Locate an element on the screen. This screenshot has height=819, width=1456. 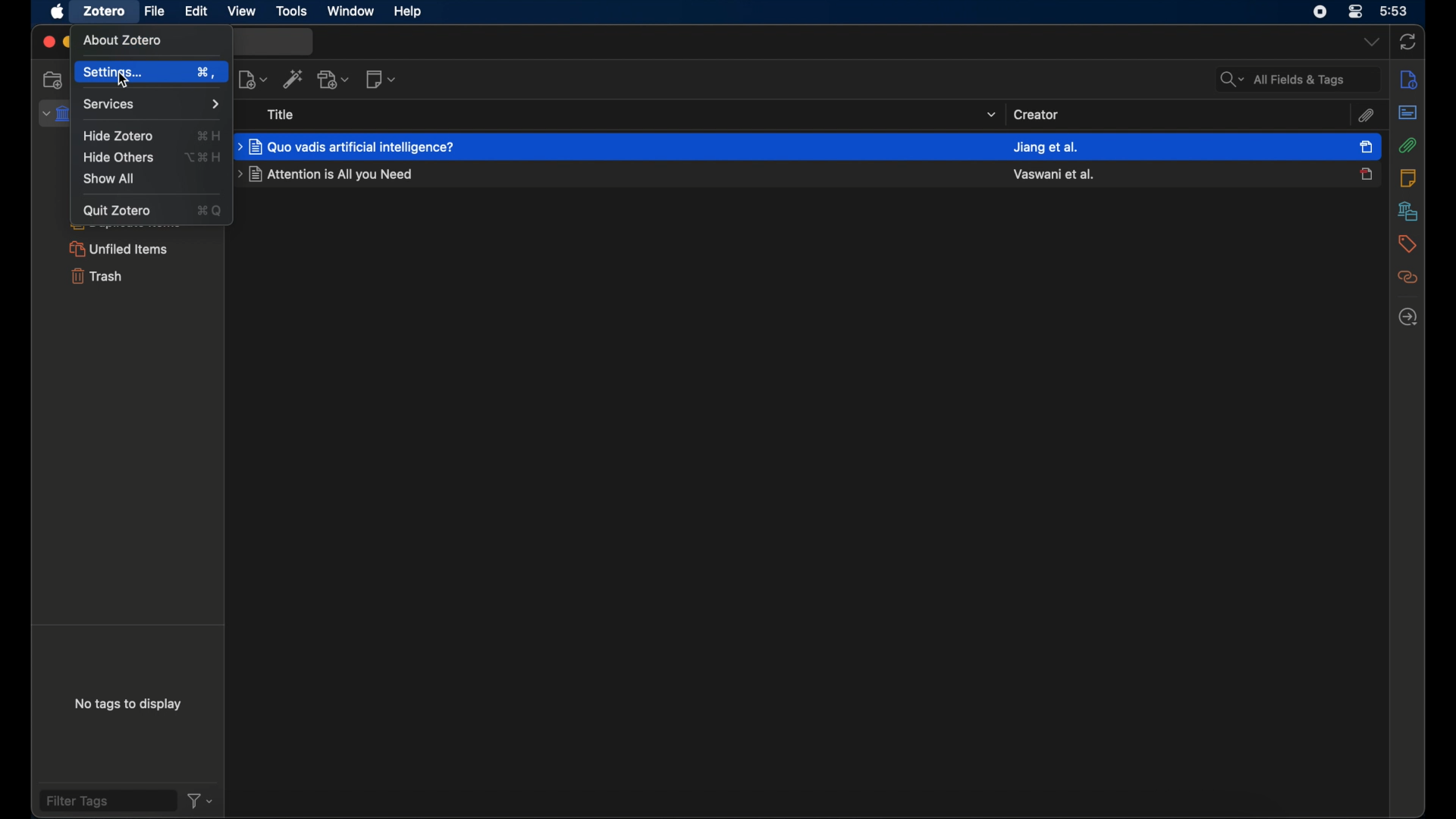
attachements is located at coordinates (1407, 146).